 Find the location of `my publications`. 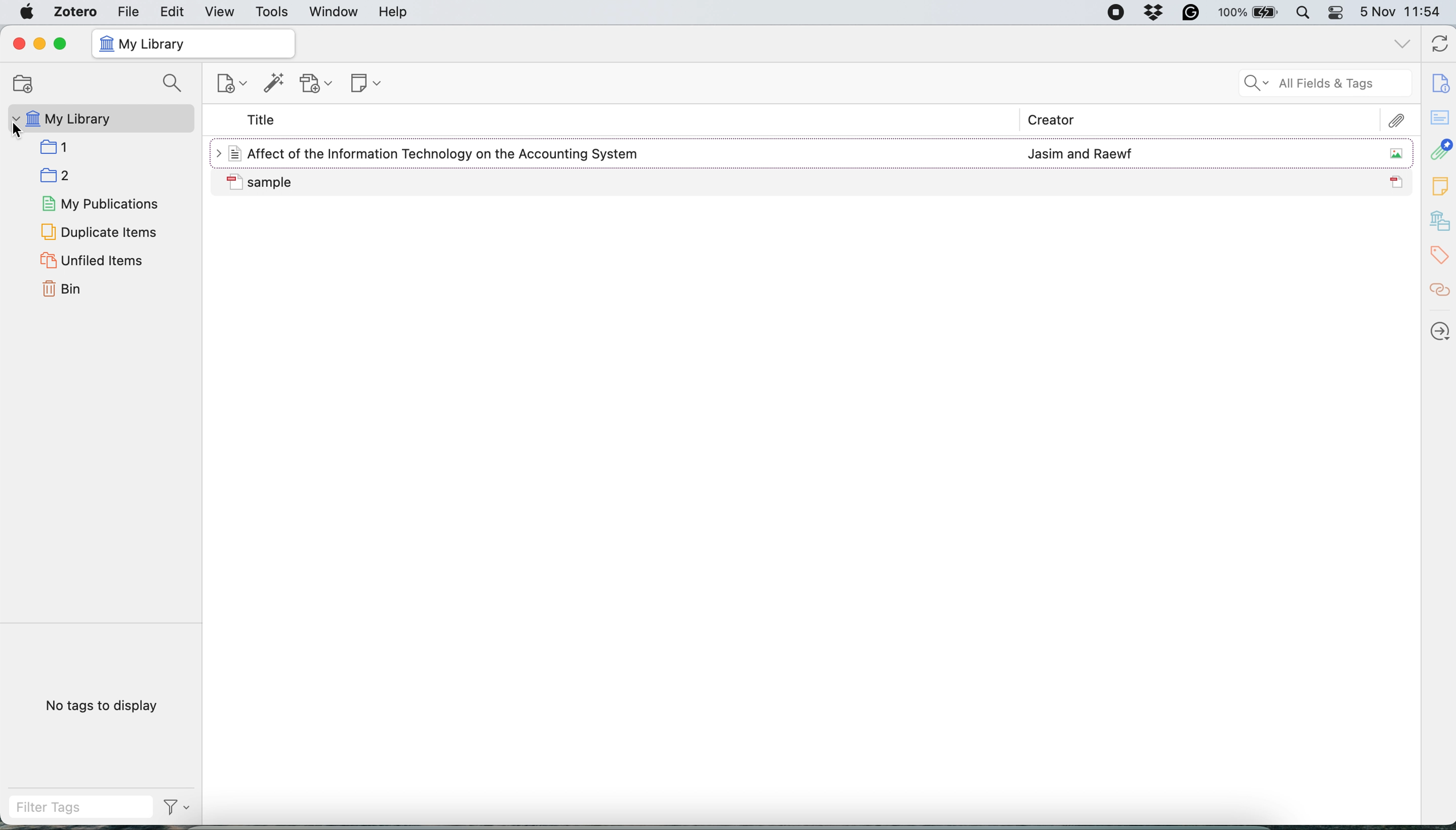

my publications is located at coordinates (97, 203).